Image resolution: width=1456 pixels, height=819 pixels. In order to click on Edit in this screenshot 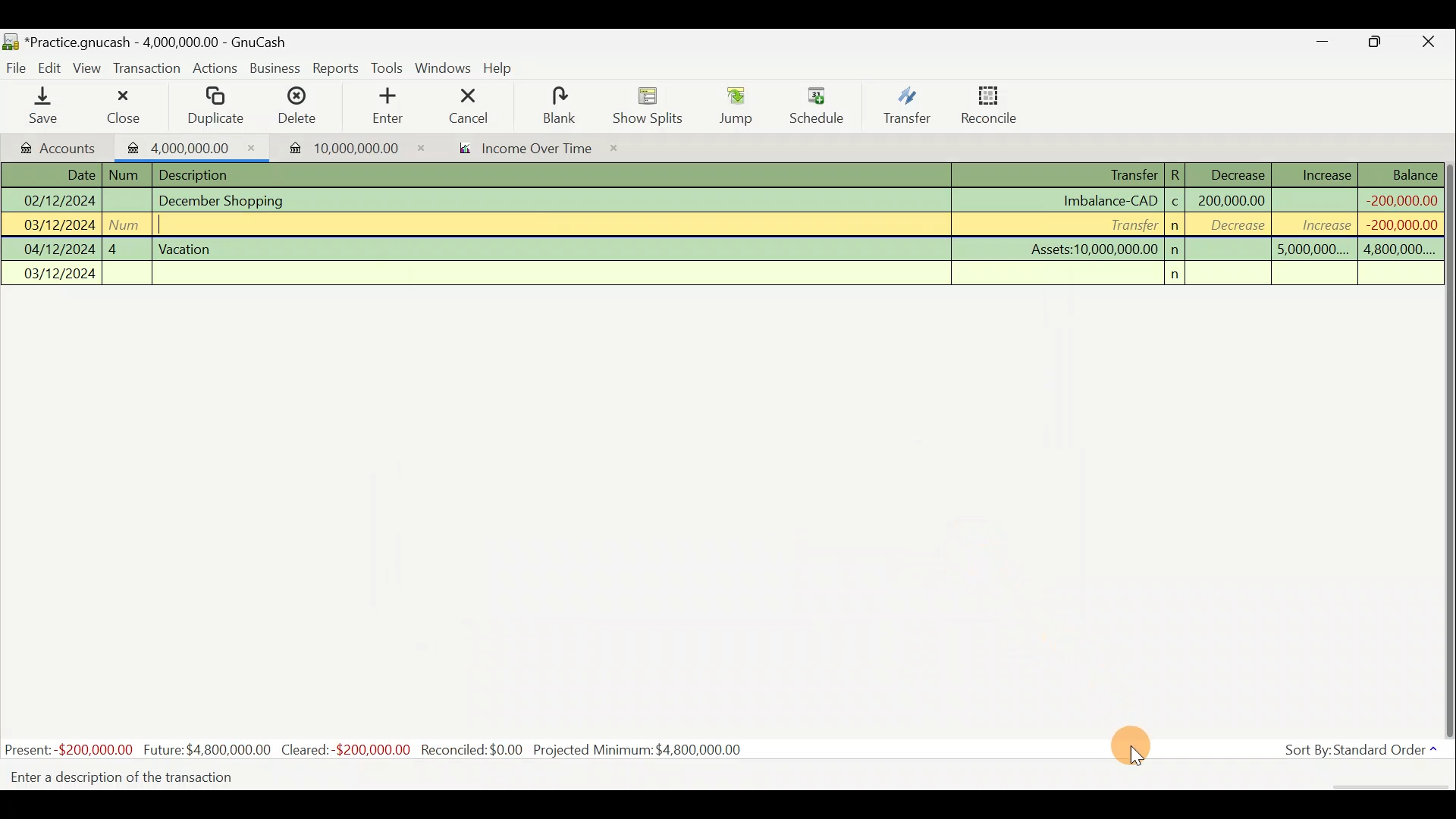, I will do `click(52, 67)`.